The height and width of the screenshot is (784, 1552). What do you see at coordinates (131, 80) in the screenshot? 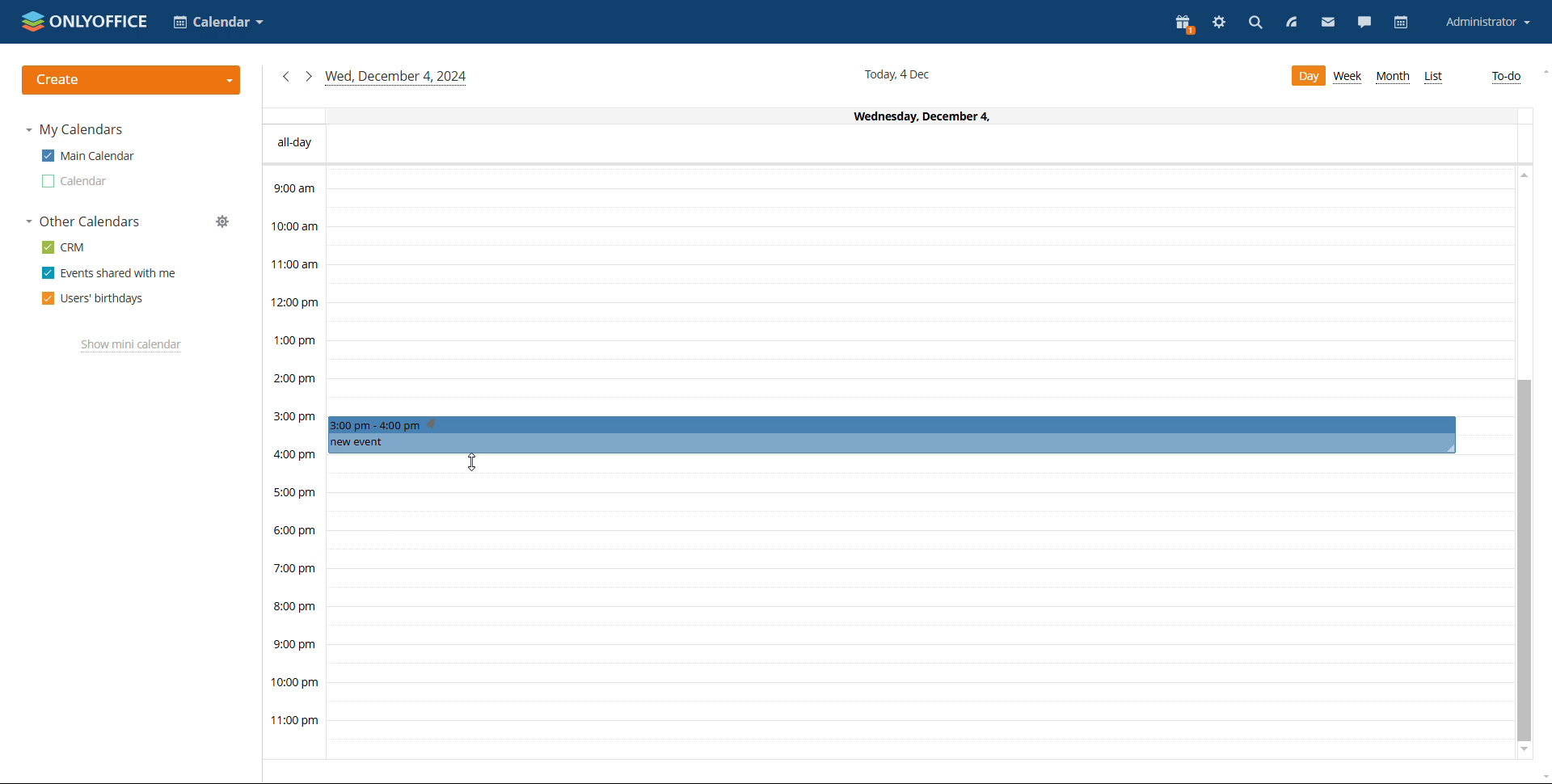
I see `create` at bounding box center [131, 80].